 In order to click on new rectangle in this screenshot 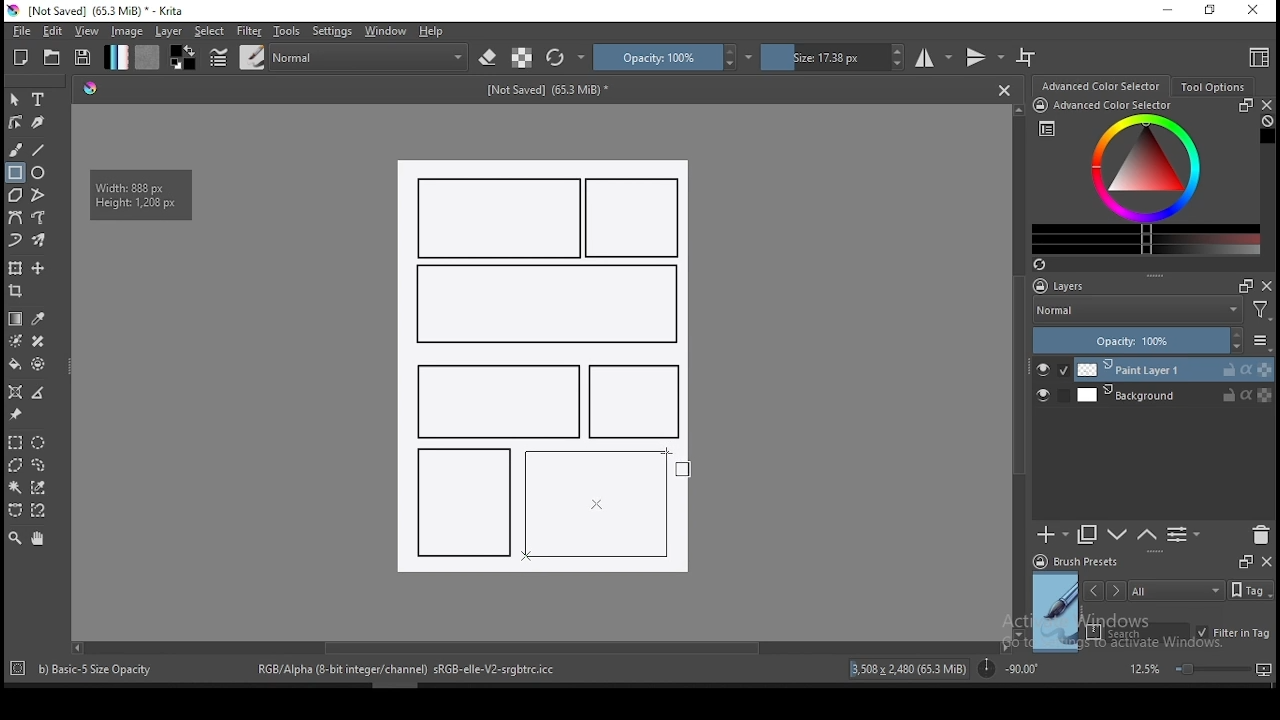, I will do `click(500, 218)`.